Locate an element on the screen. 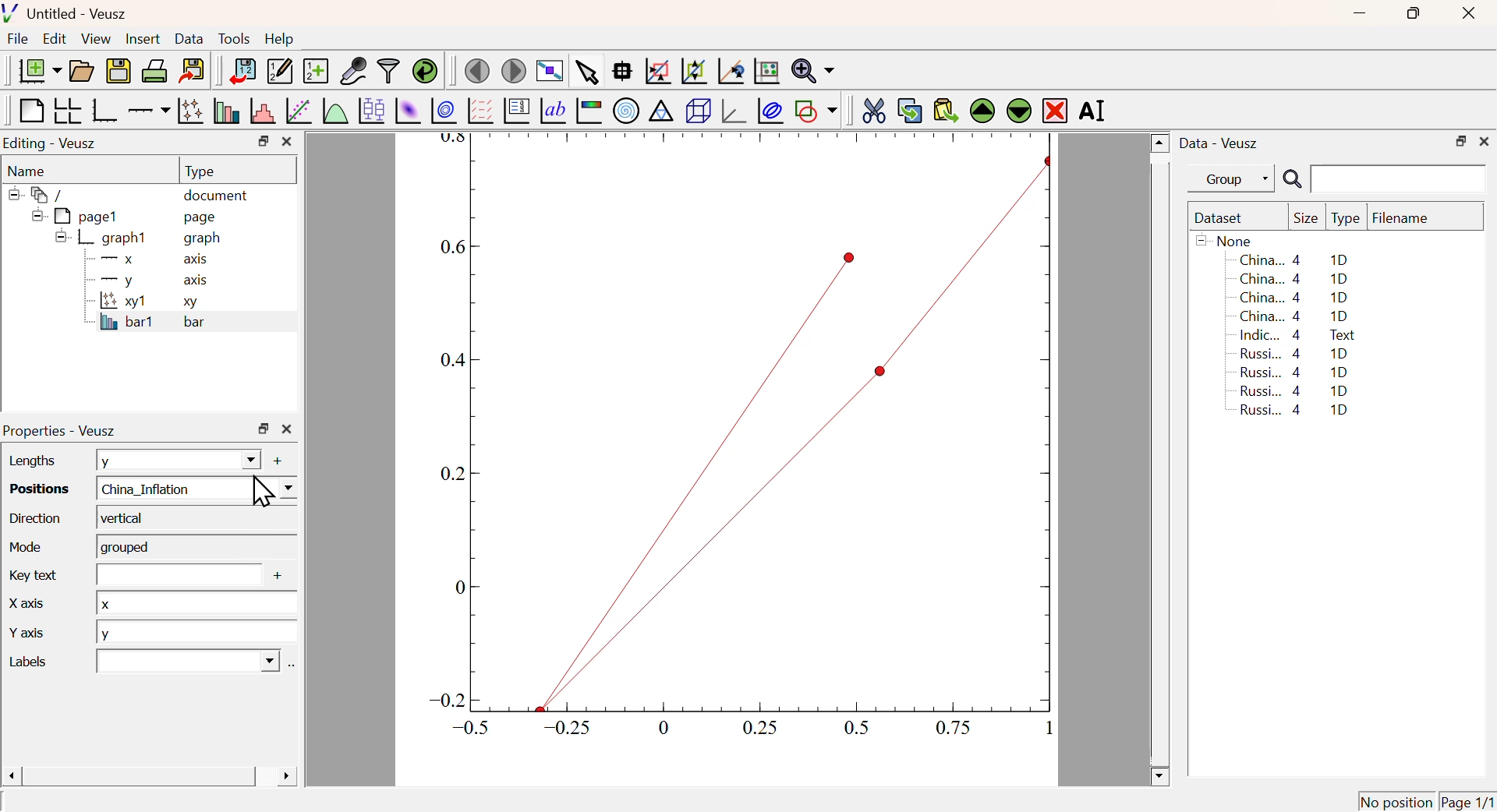  Move to next page is located at coordinates (515, 71).